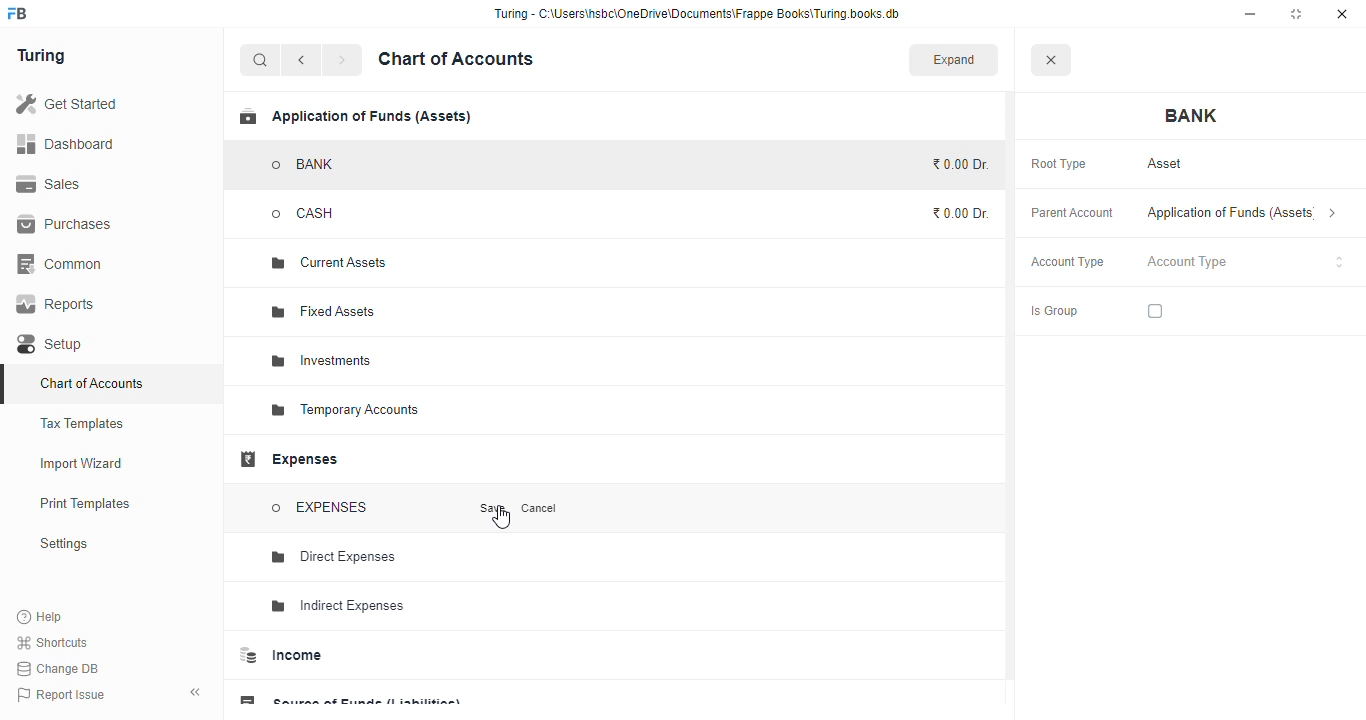 This screenshot has width=1366, height=720. What do you see at coordinates (66, 103) in the screenshot?
I see `get started` at bounding box center [66, 103].